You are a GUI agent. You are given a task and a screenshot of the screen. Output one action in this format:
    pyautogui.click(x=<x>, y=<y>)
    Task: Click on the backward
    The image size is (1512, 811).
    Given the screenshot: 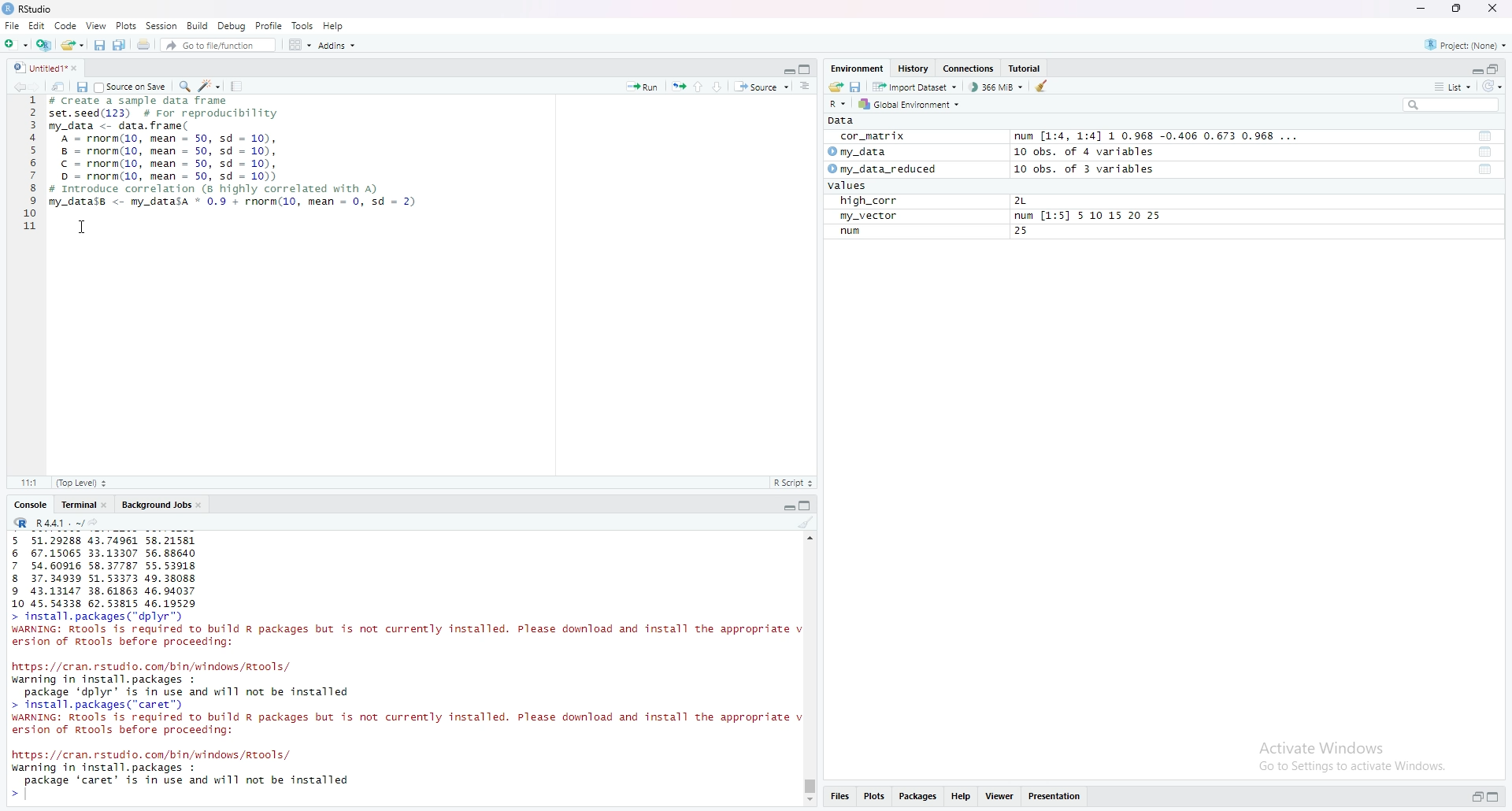 What is the action you would take?
    pyautogui.click(x=17, y=87)
    